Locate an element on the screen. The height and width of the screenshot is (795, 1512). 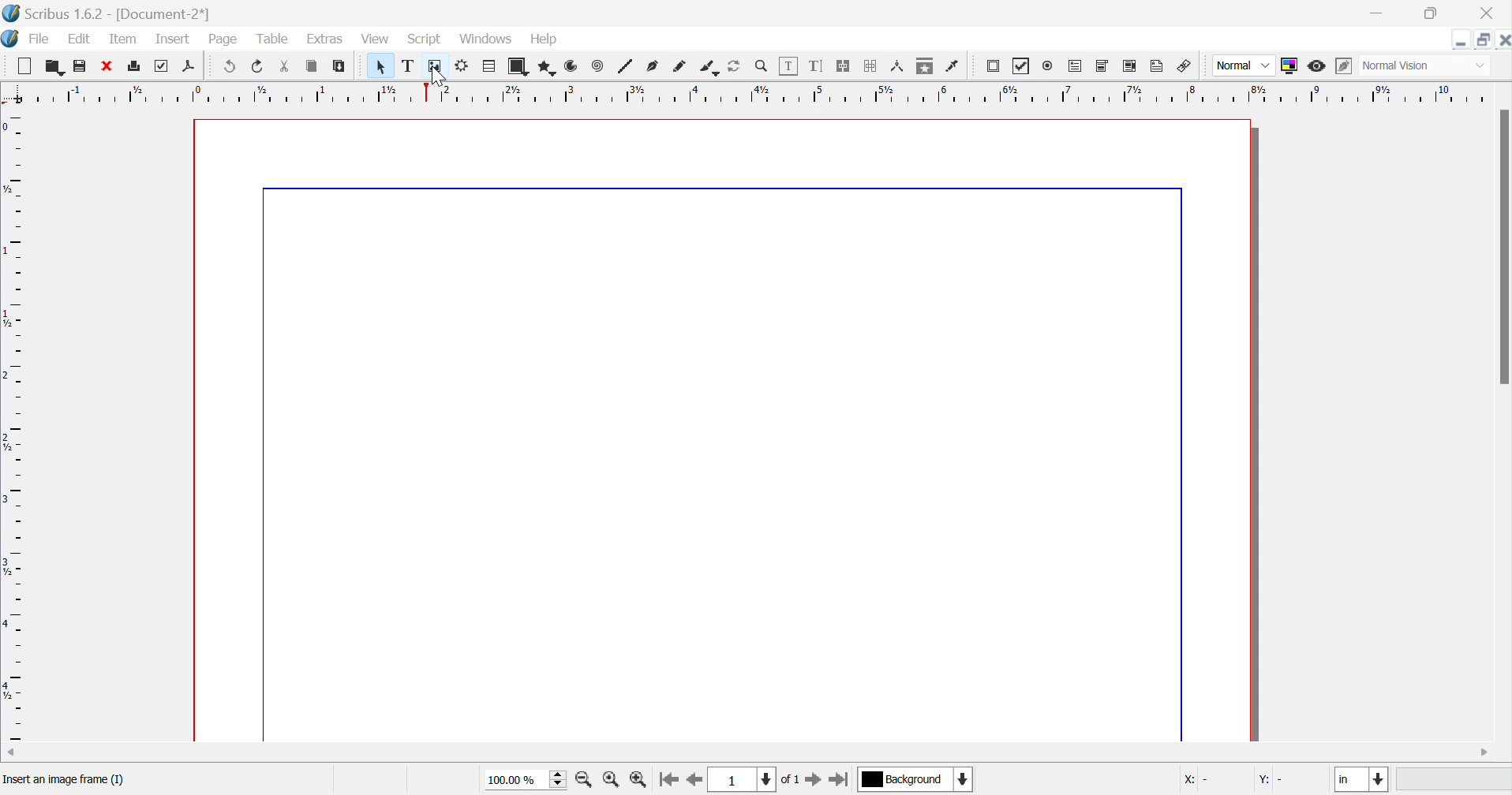
calligraphic line is located at coordinates (708, 65).